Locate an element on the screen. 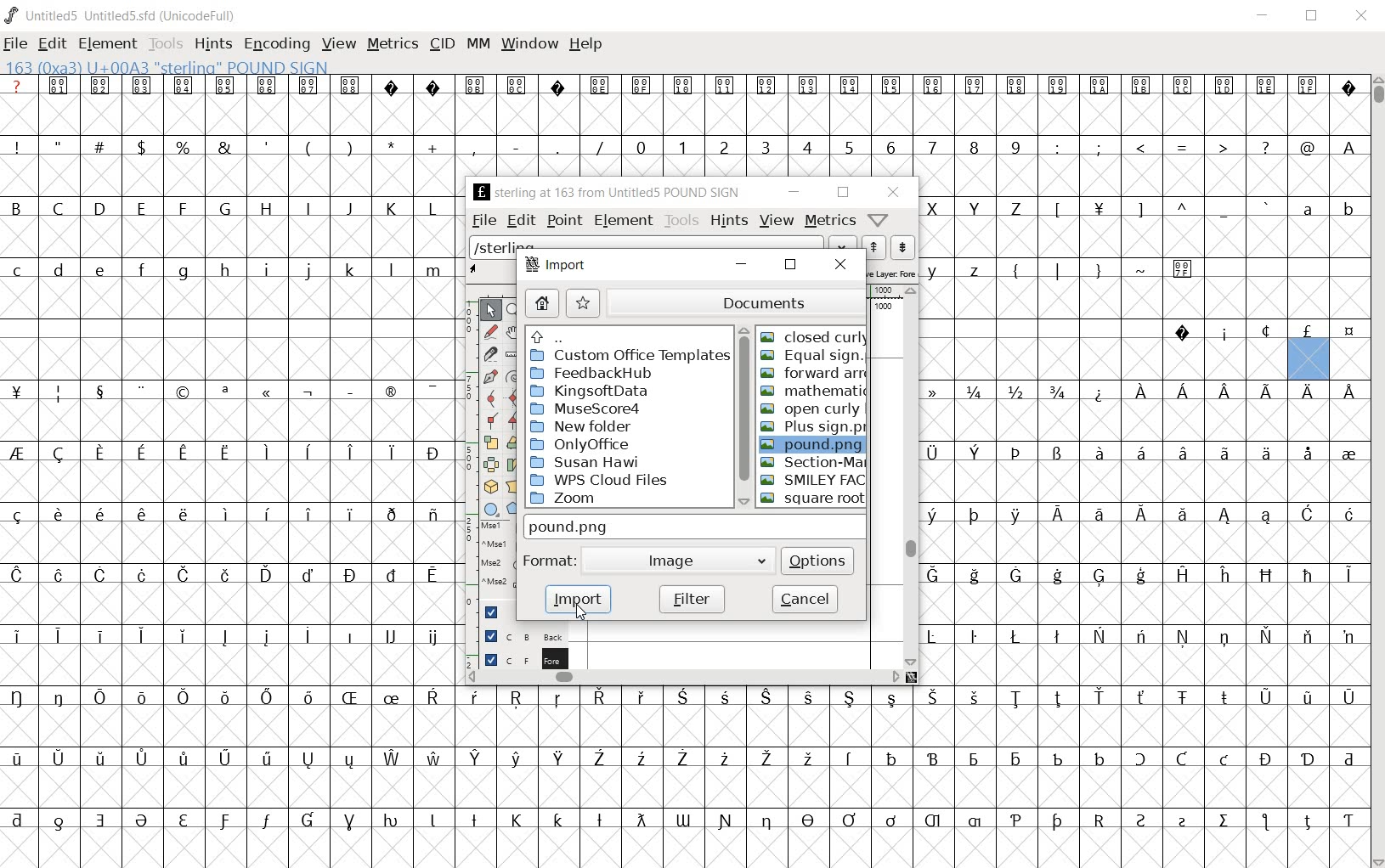  Symbol is located at coordinates (142, 577).